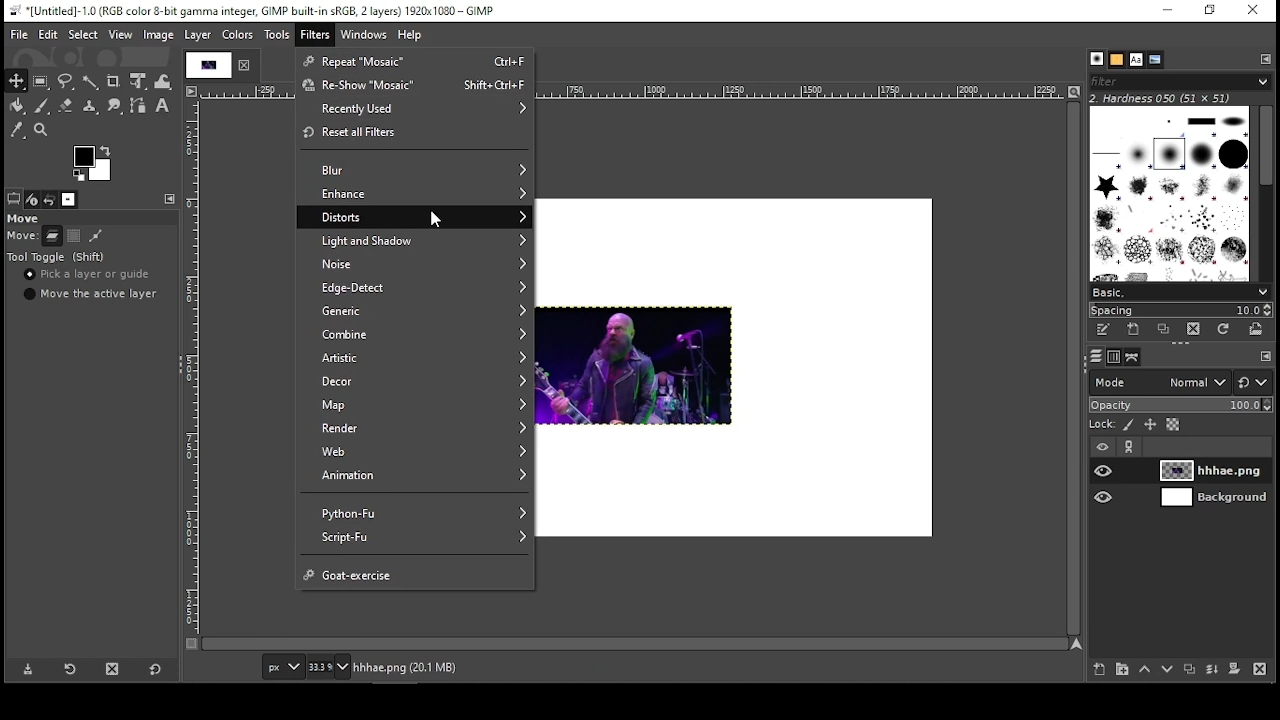 The height and width of the screenshot is (720, 1280). What do you see at coordinates (139, 108) in the screenshot?
I see `paths tool` at bounding box center [139, 108].